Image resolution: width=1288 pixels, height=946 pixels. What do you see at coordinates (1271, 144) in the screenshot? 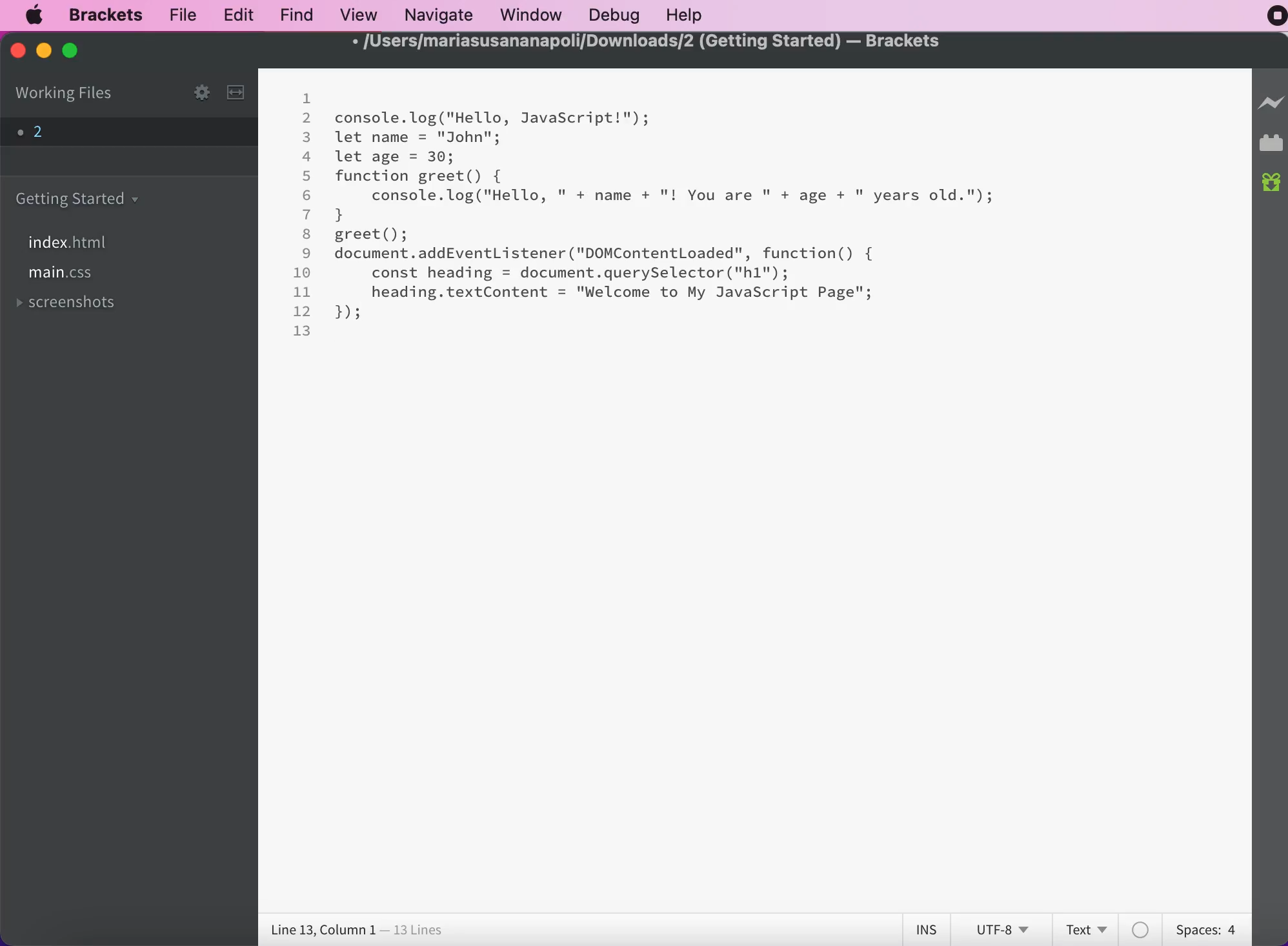
I see `extension manager` at bounding box center [1271, 144].